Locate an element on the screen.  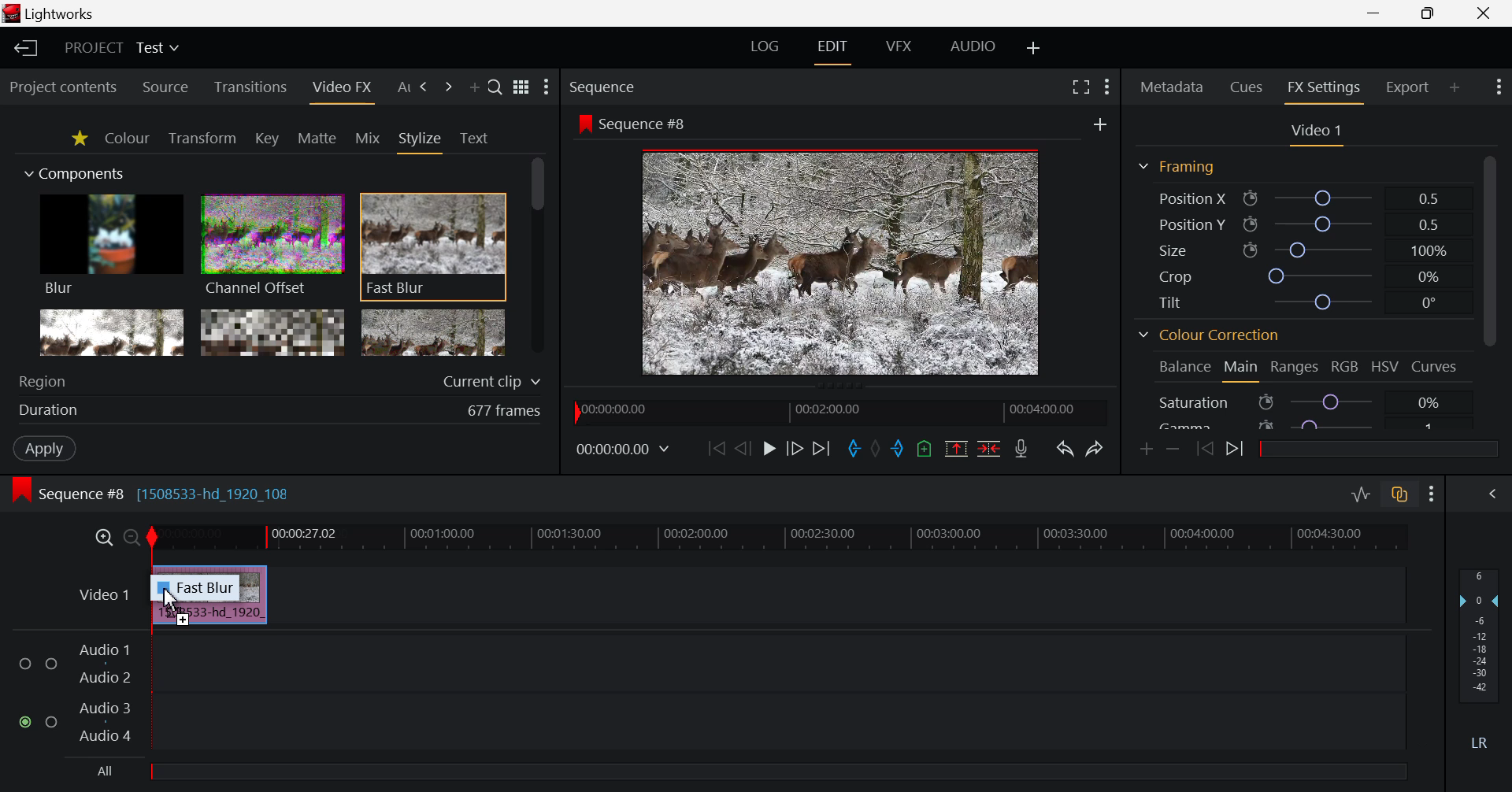
Mosaic is located at coordinates (272, 333).